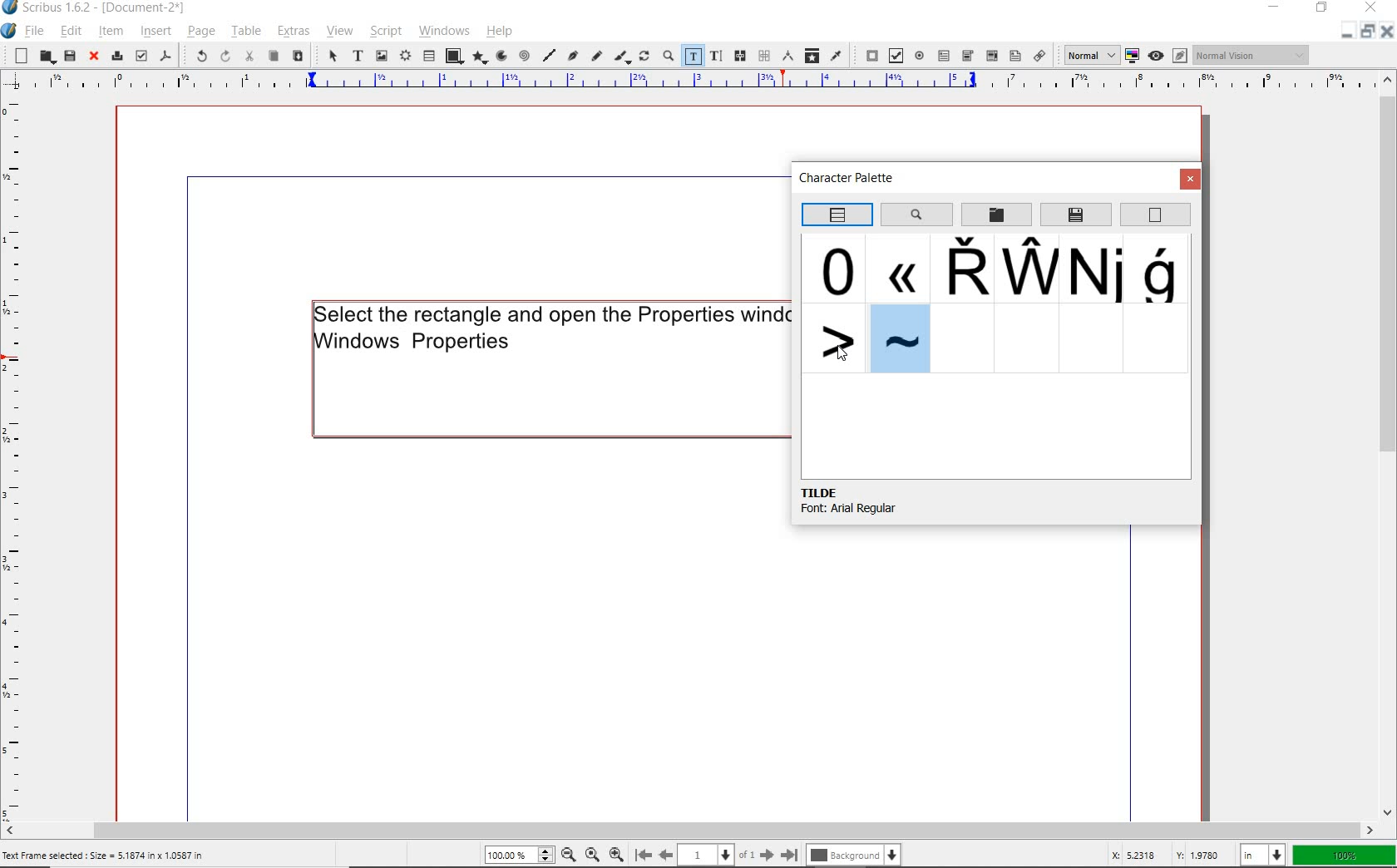  I want to click on cut, so click(250, 56).